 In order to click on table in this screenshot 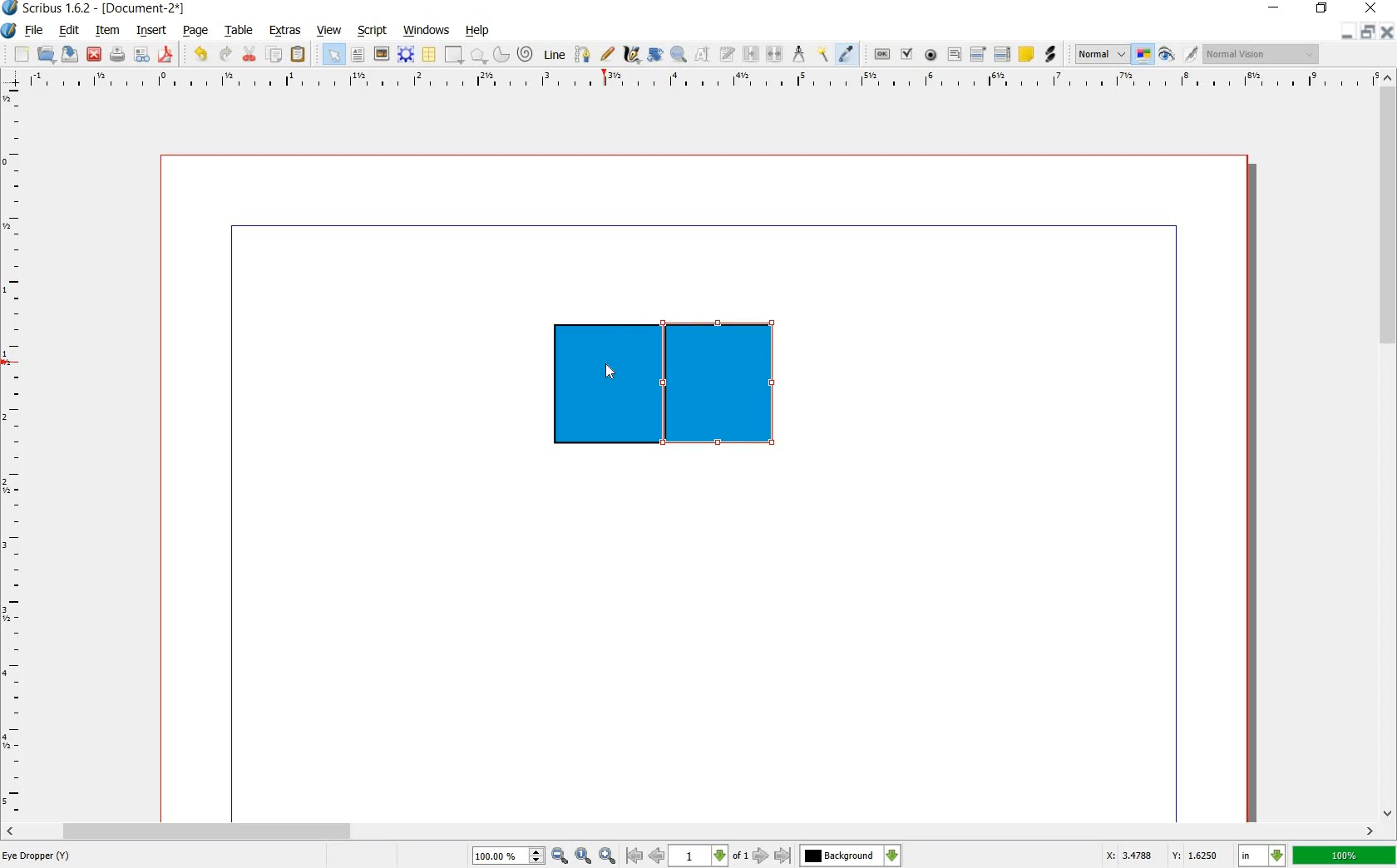, I will do `click(430, 54)`.